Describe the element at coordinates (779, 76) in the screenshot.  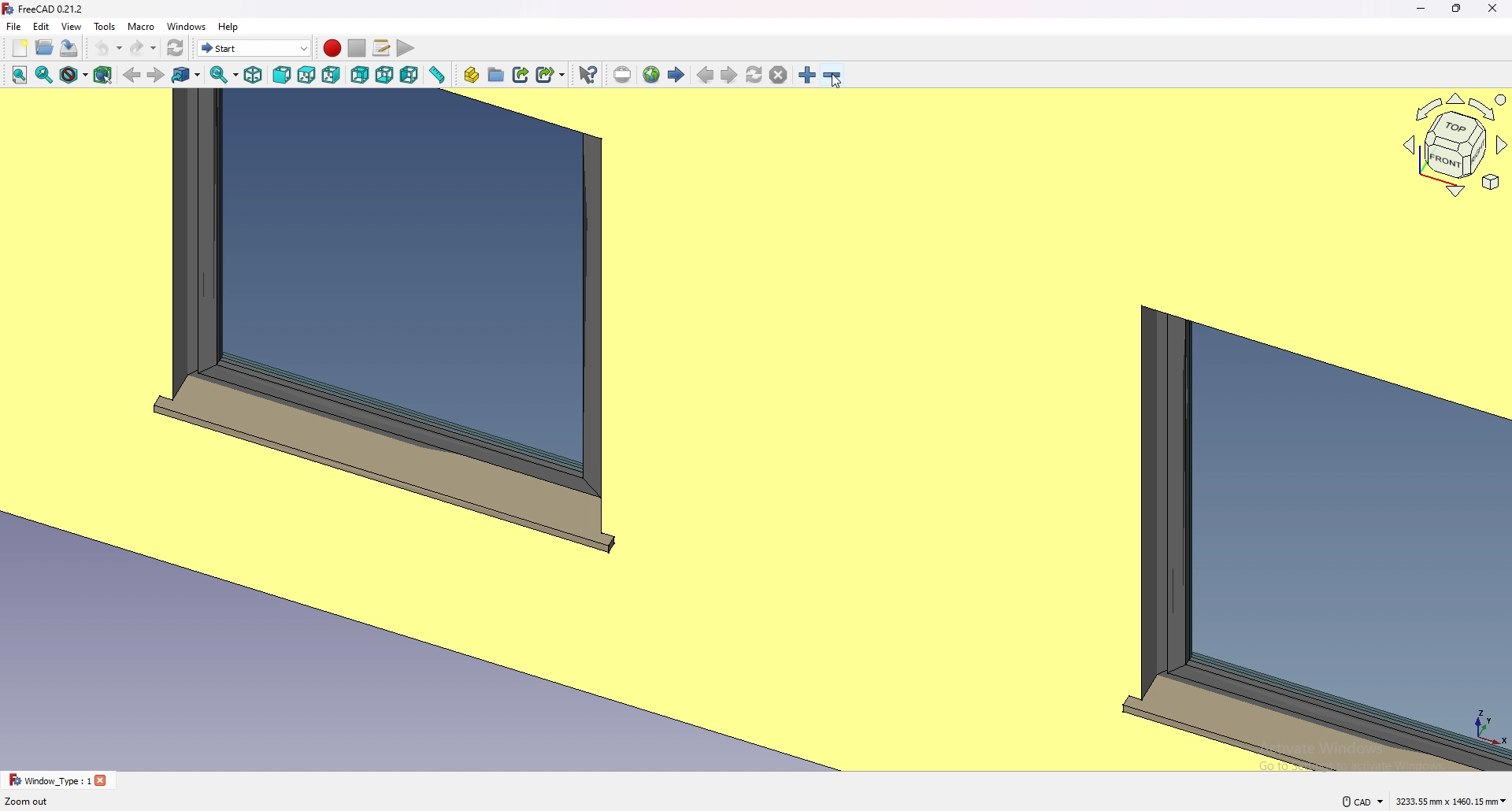
I see `stop loading` at that location.